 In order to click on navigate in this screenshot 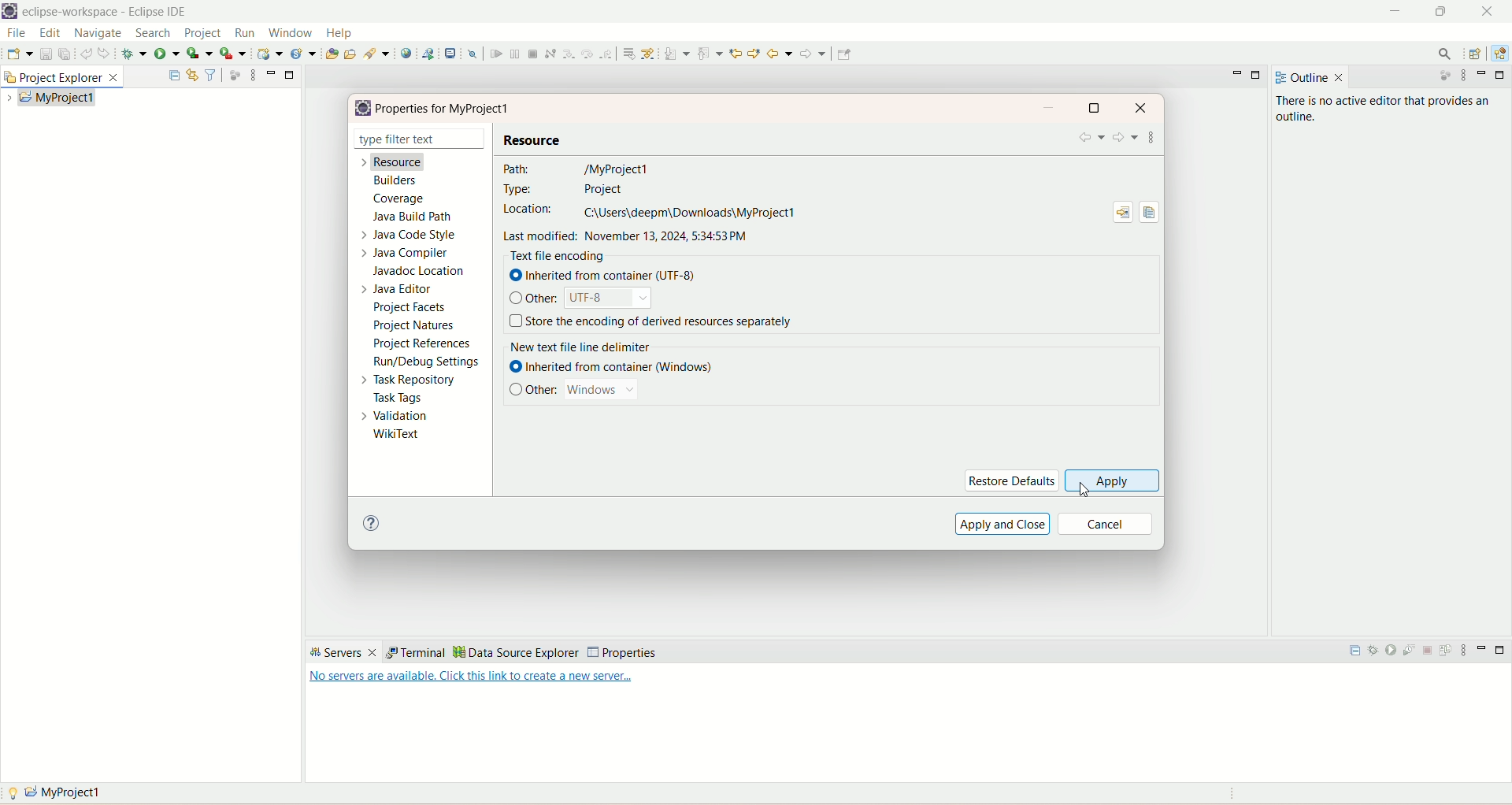, I will do `click(98, 34)`.